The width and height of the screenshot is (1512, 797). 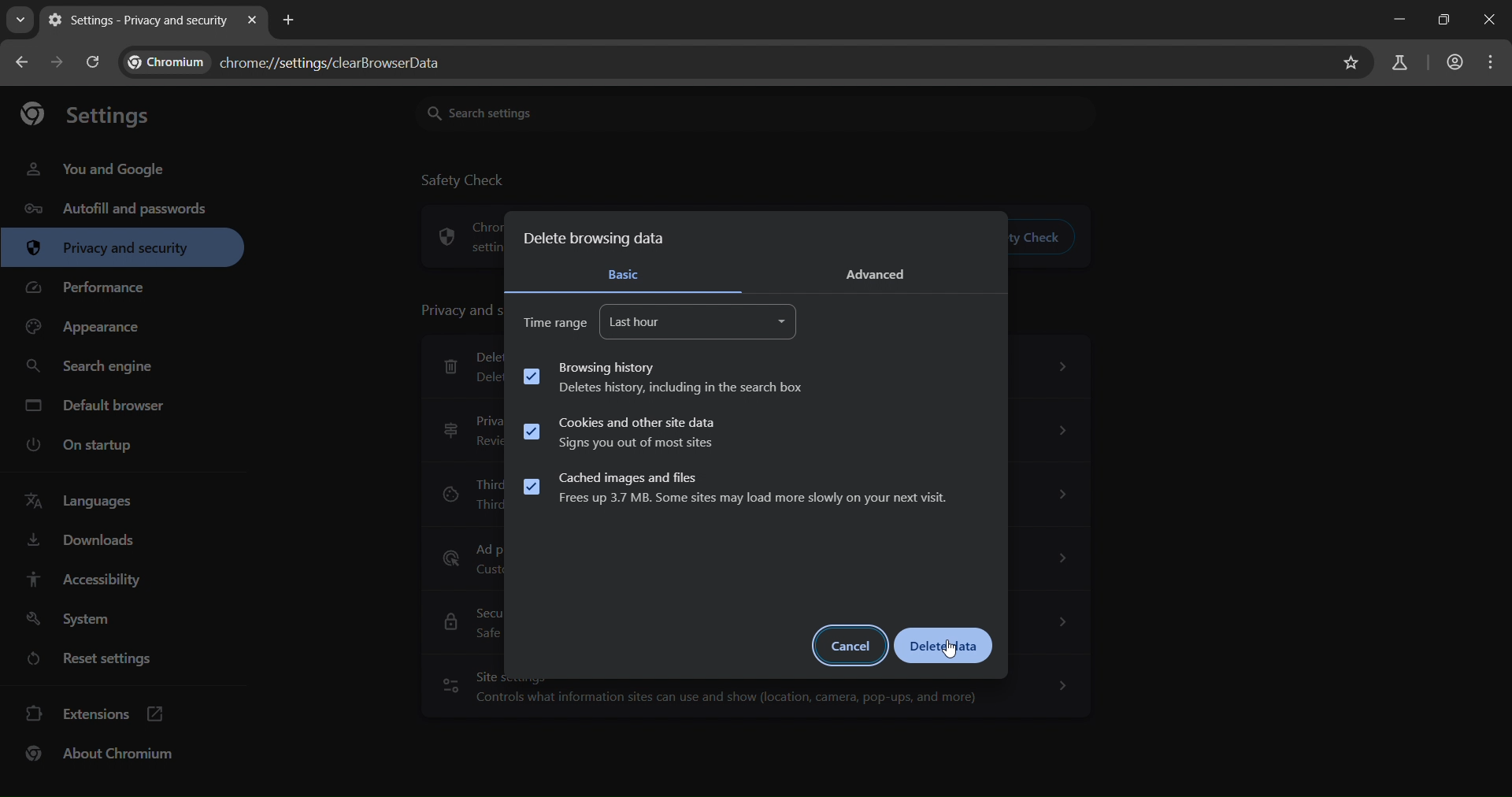 I want to click on Cookies and other site data
Signs you out of most sites, so click(x=621, y=432).